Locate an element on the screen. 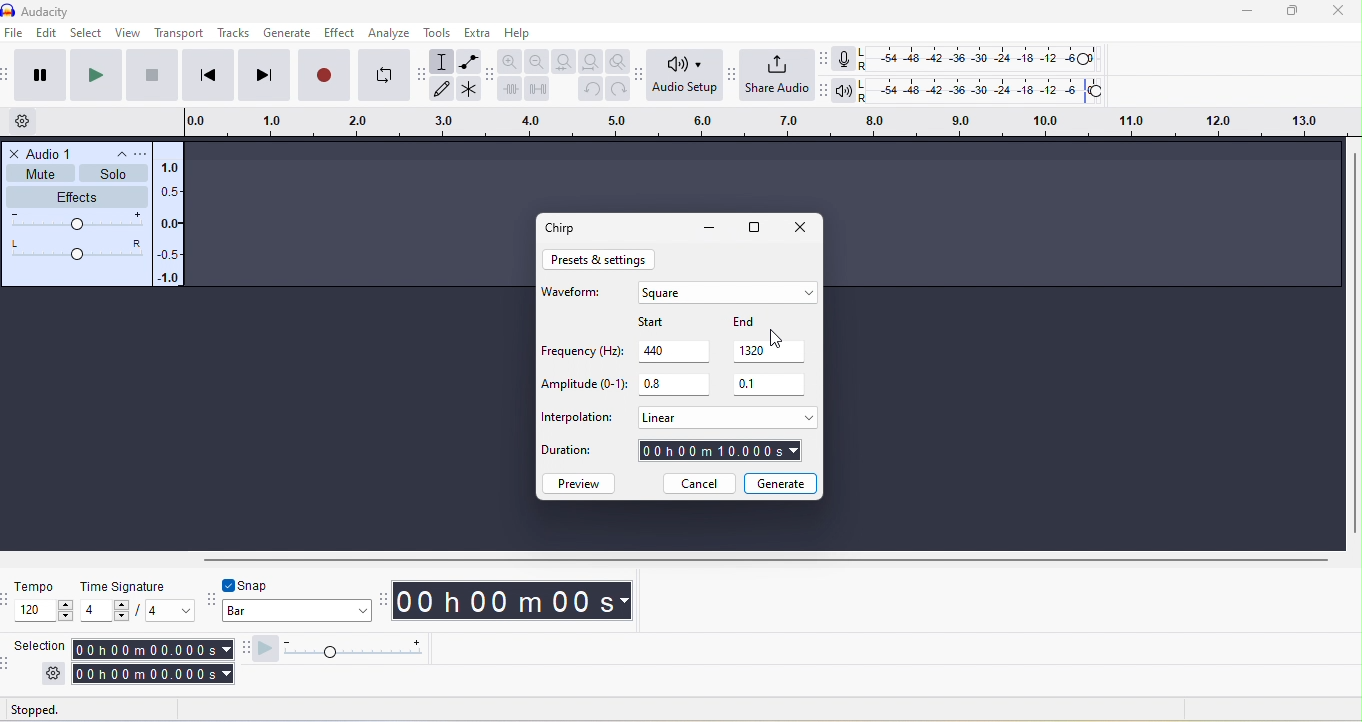  440 is located at coordinates (677, 350).